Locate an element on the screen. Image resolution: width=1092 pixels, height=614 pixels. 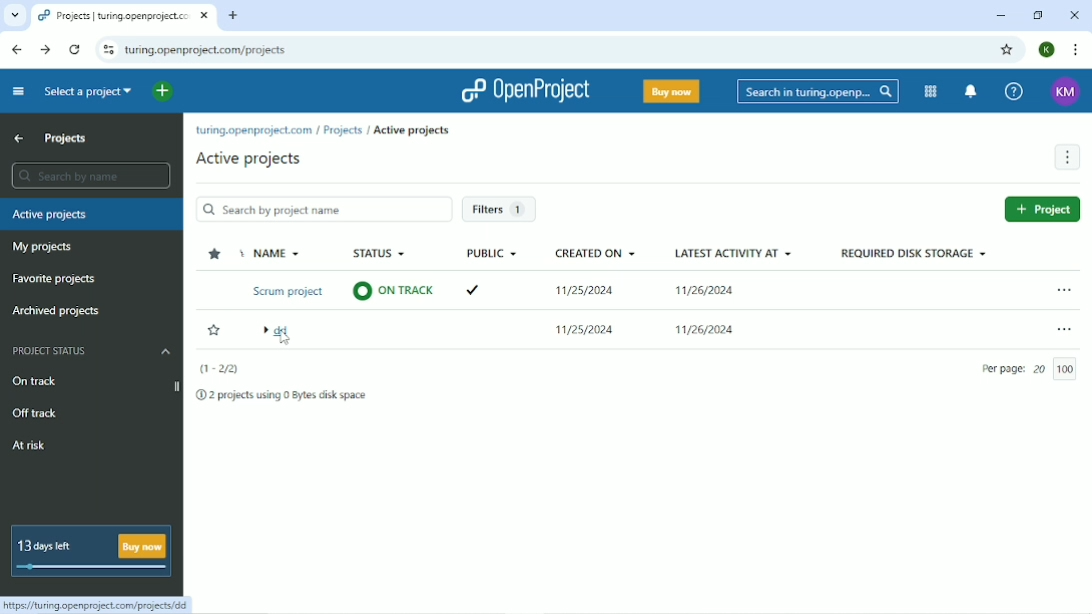
Active projects is located at coordinates (412, 131).